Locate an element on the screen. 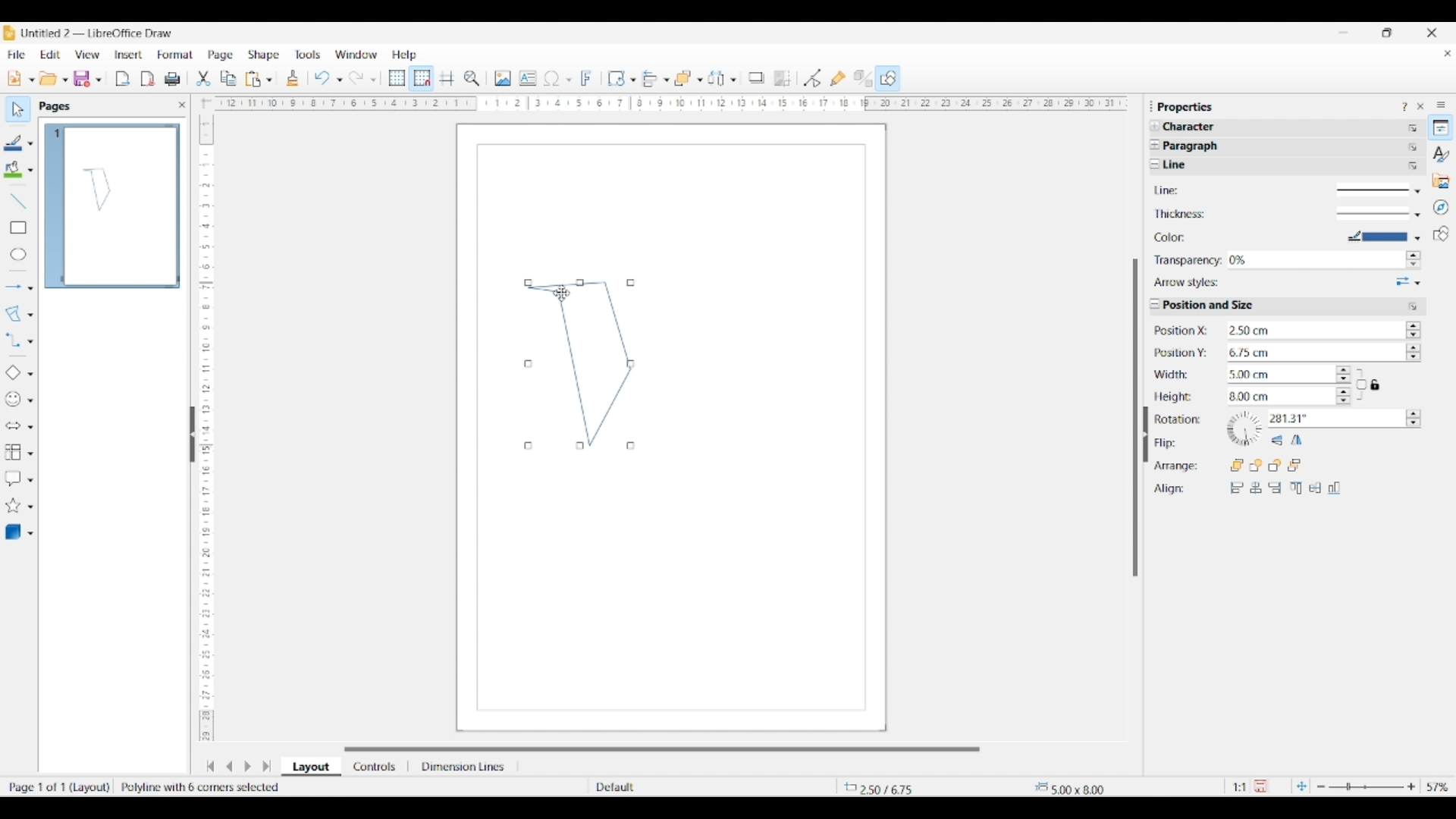 The width and height of the screenshot is (1456, 819). Fill color options is located at coordinates (30, 171).